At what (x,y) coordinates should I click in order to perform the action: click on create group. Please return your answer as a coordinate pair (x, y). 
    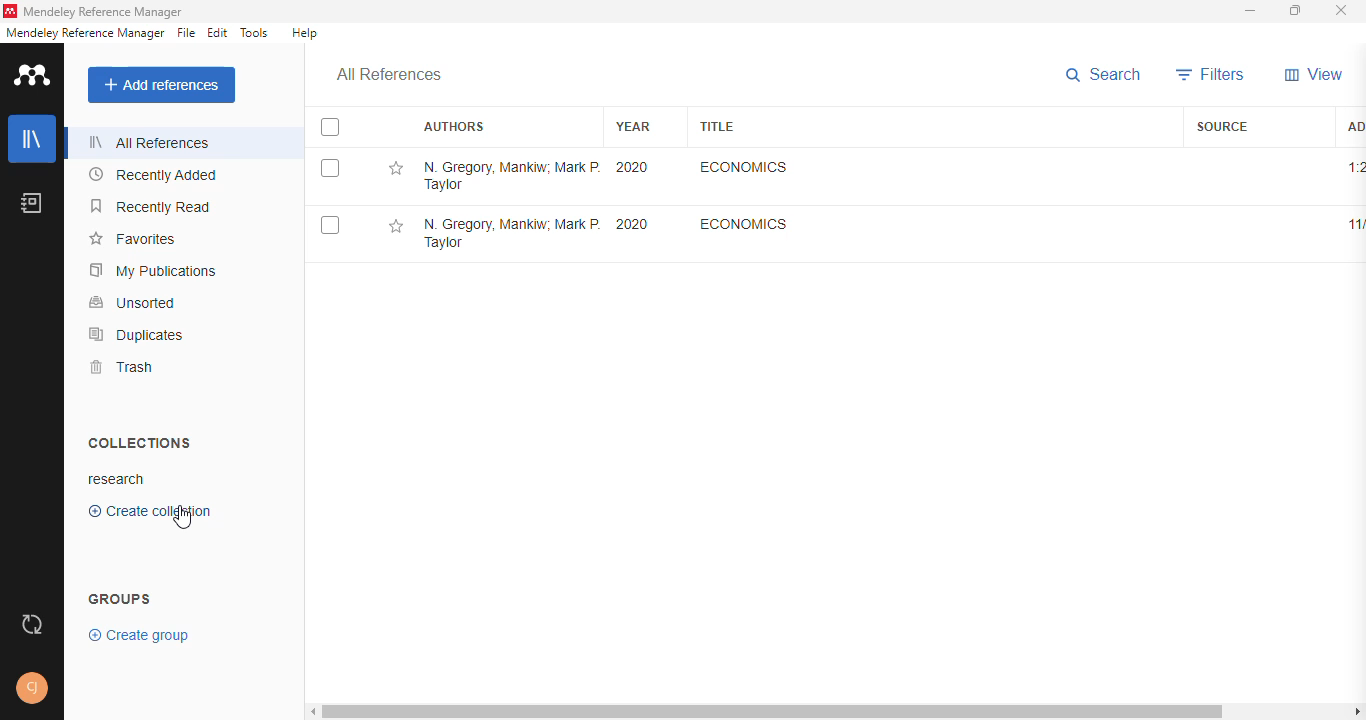
    Looking at the image, I should click on (137, 636).